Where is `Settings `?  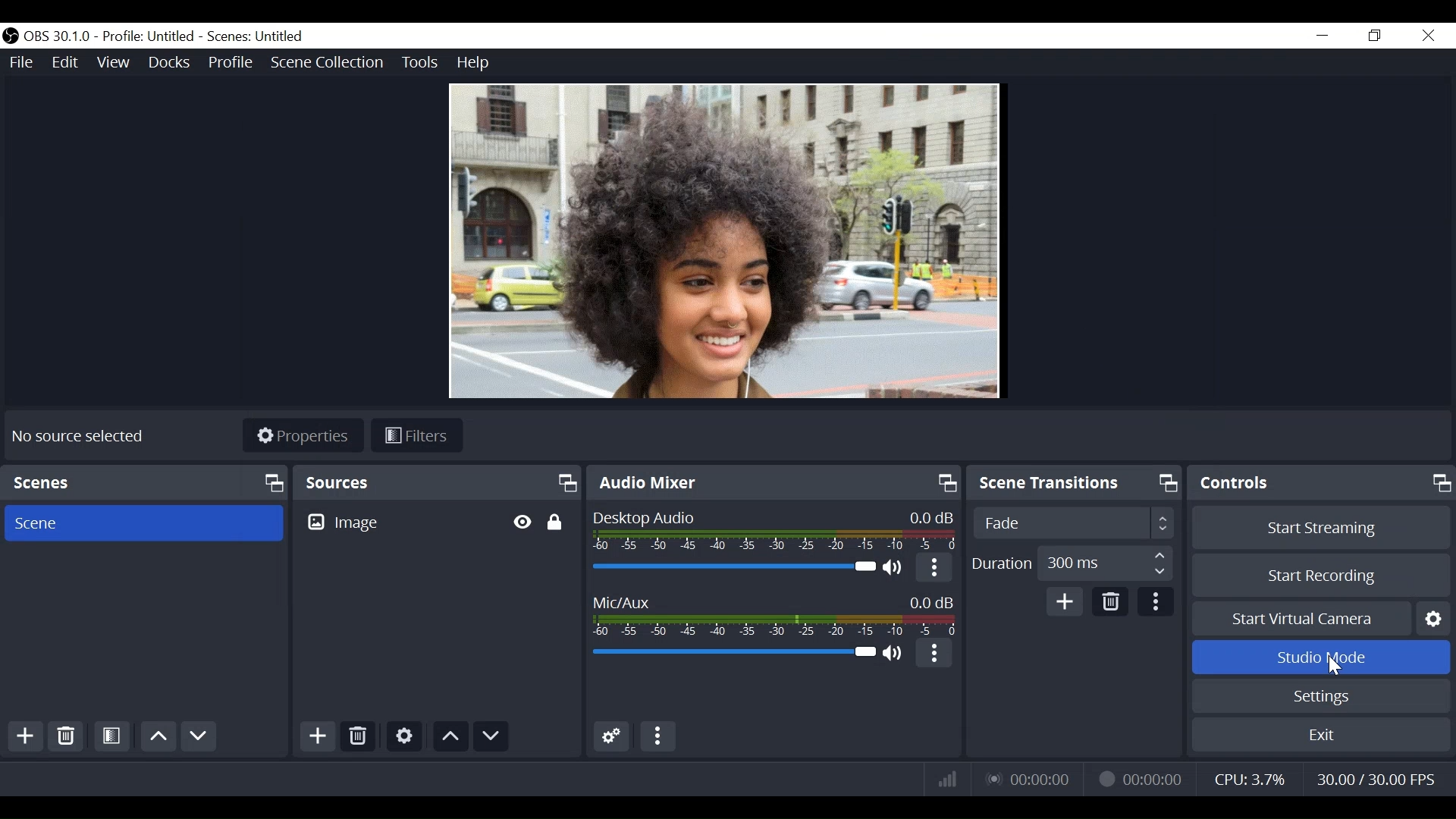
Settings  is located at coordinates (1320, 695).